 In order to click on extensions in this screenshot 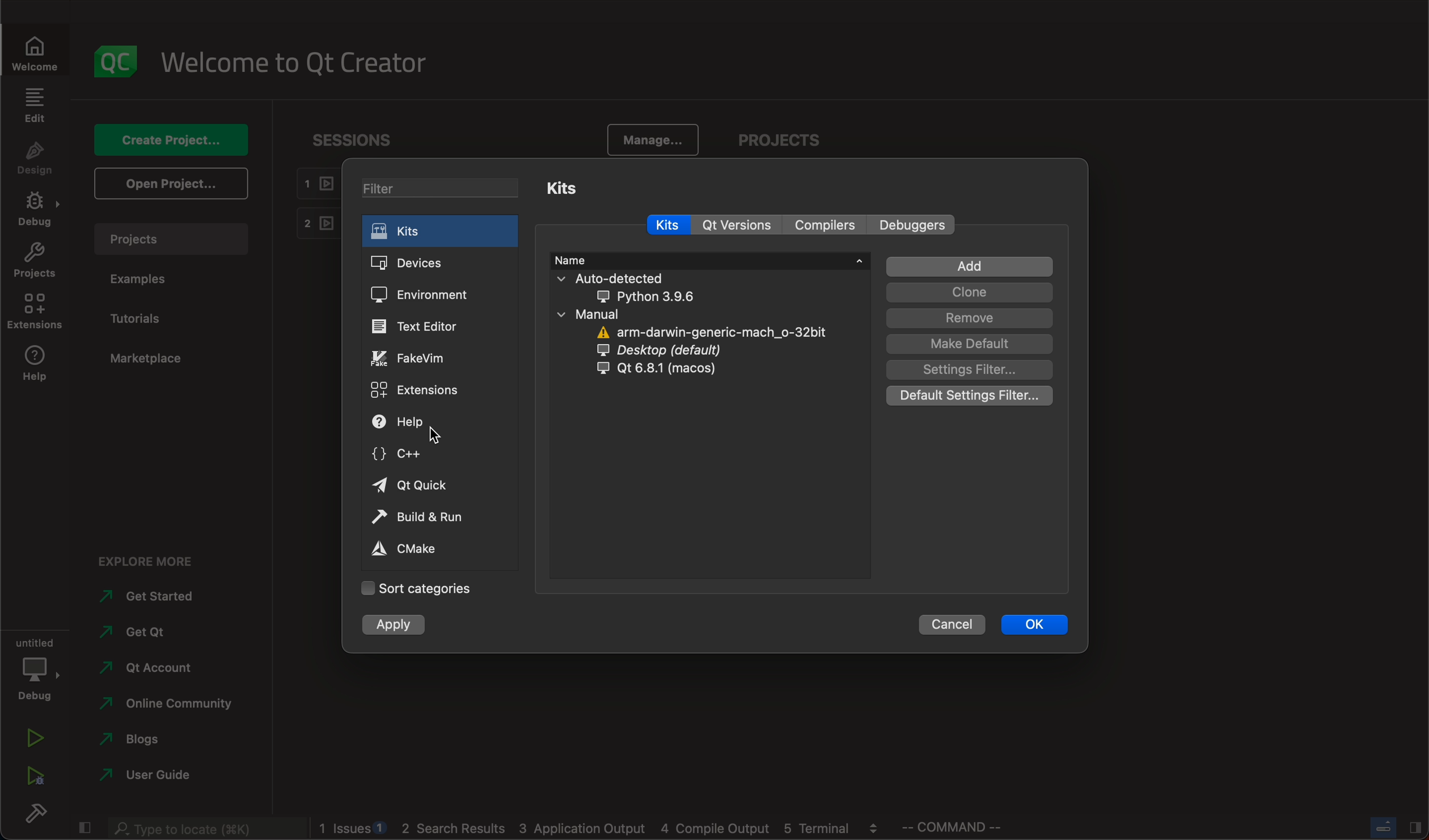, I will do `click(417, 389)`.